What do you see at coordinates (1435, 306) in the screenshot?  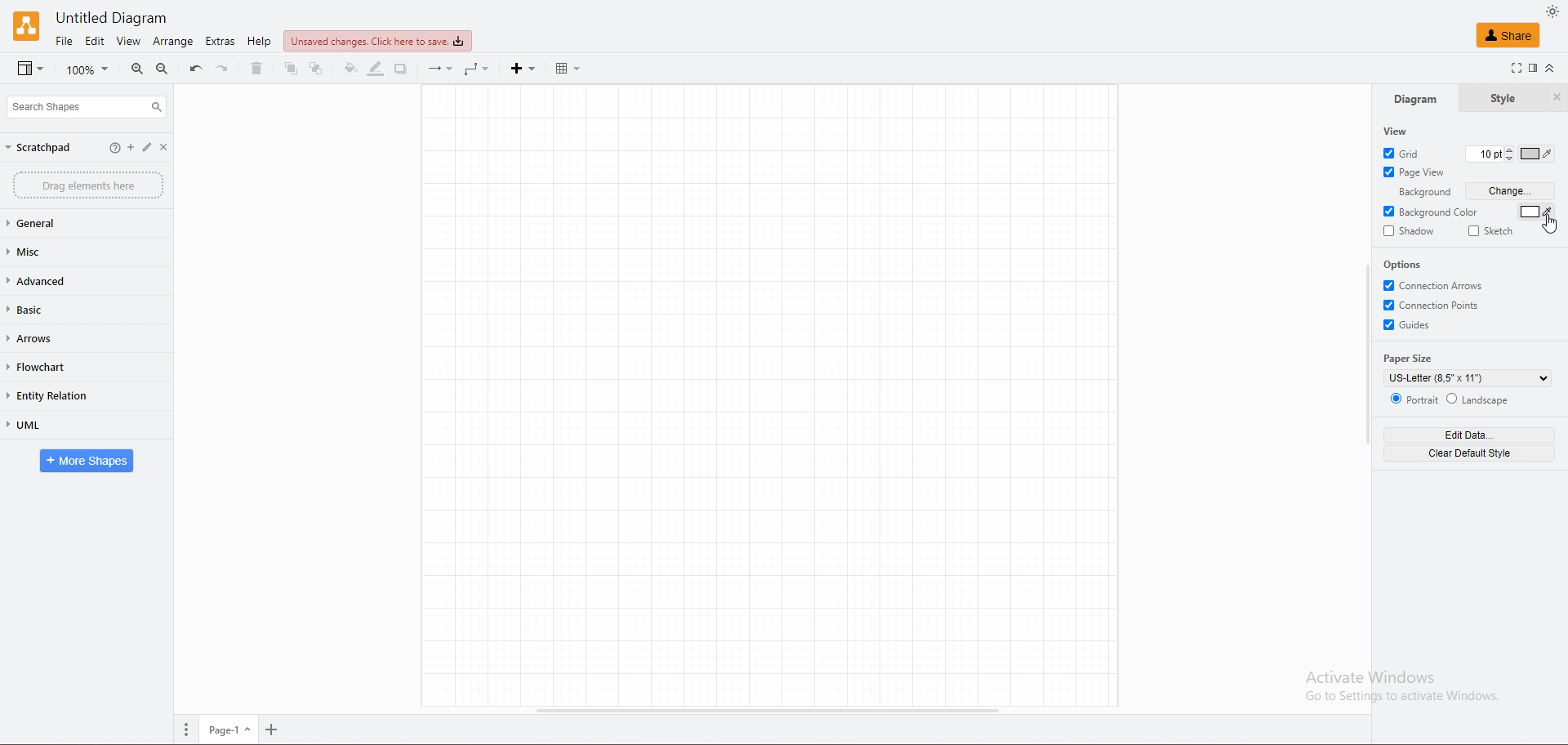 I see `connection points` at bounding box center [1435, 306].